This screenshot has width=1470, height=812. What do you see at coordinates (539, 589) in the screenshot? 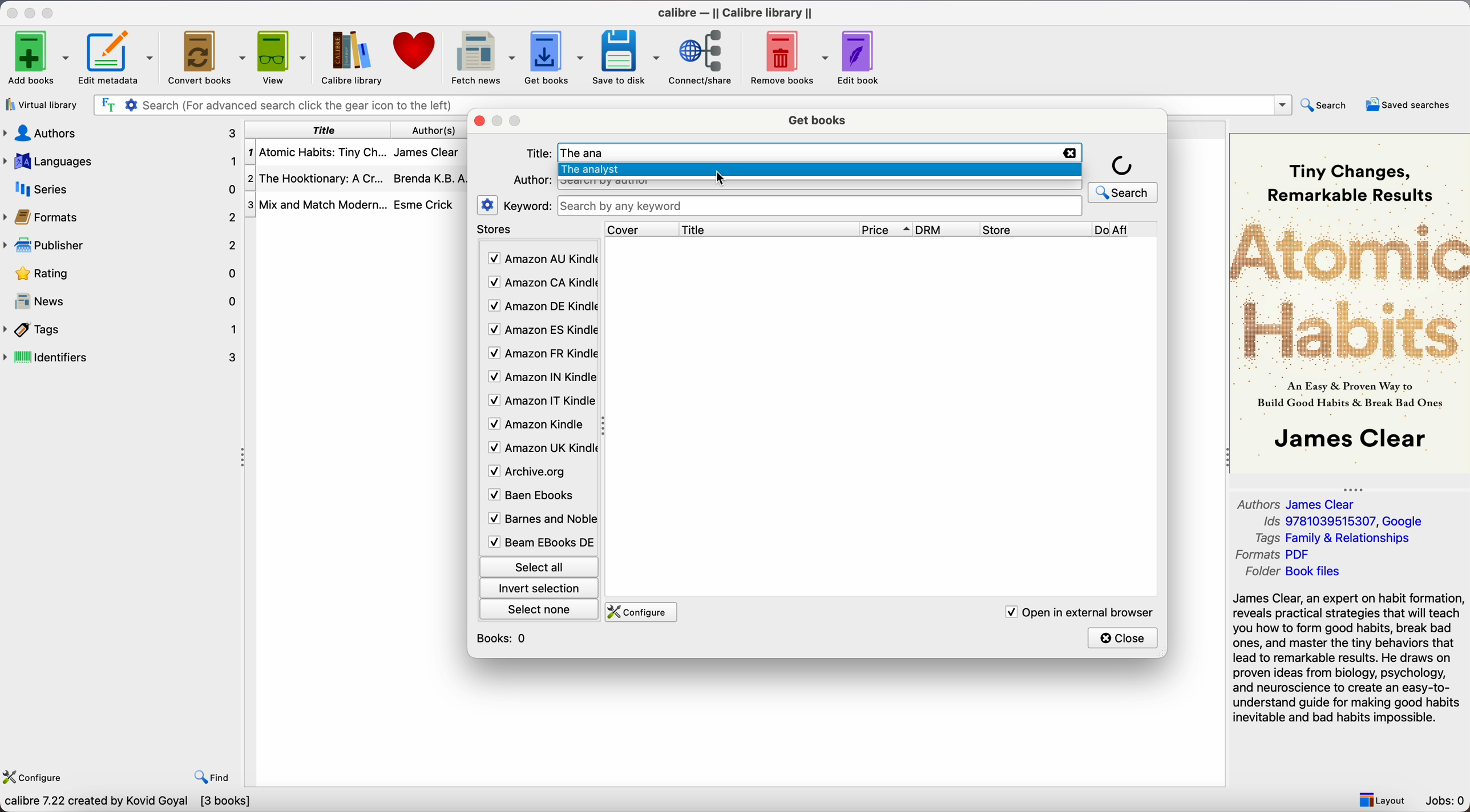
I see `invert selection` at bounding box center [539, 589].